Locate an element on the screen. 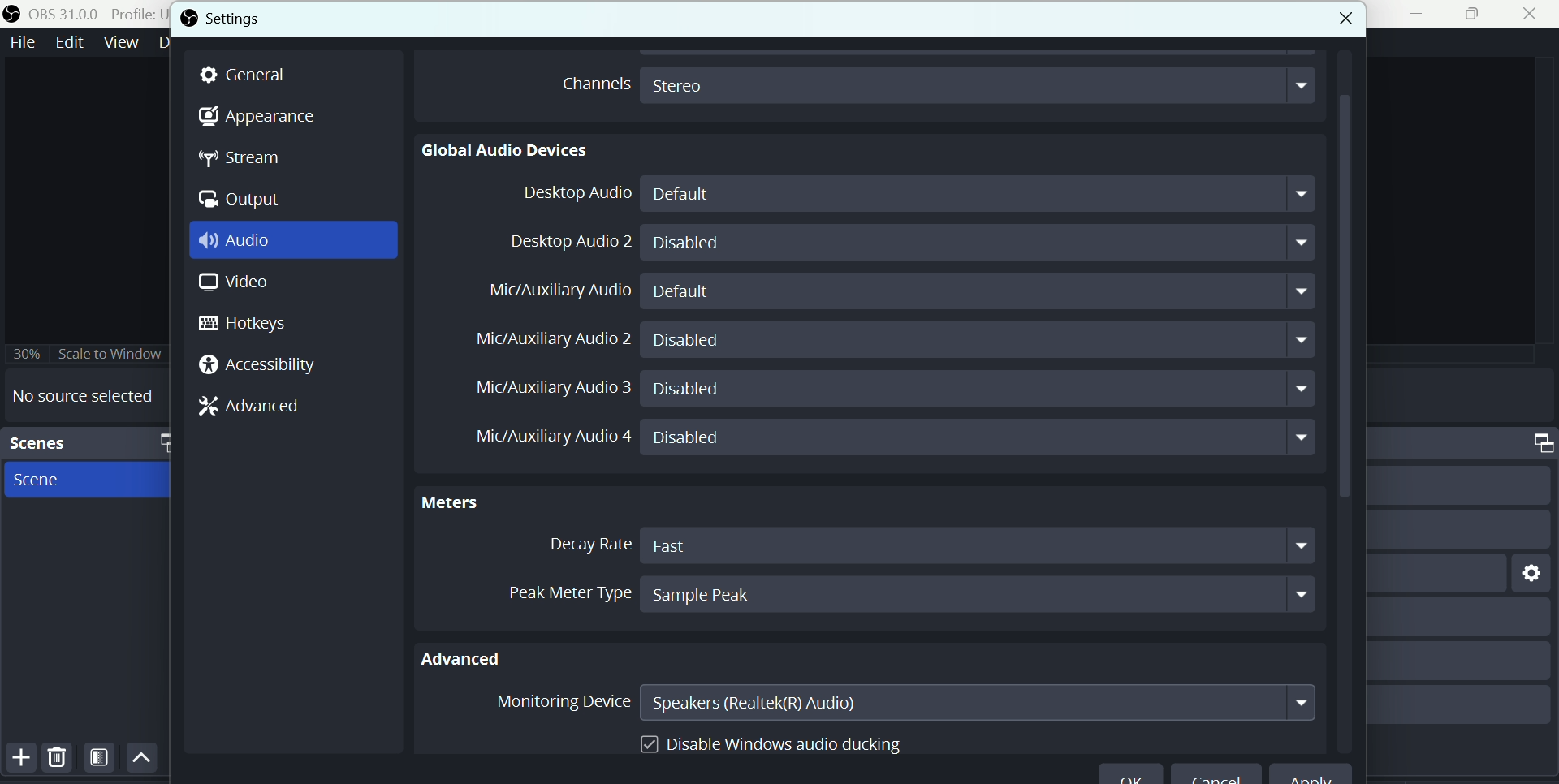 The width and height of the screenshot is (1559, 784). Speakers Realtek R audio is located at coordinates (978, 702).